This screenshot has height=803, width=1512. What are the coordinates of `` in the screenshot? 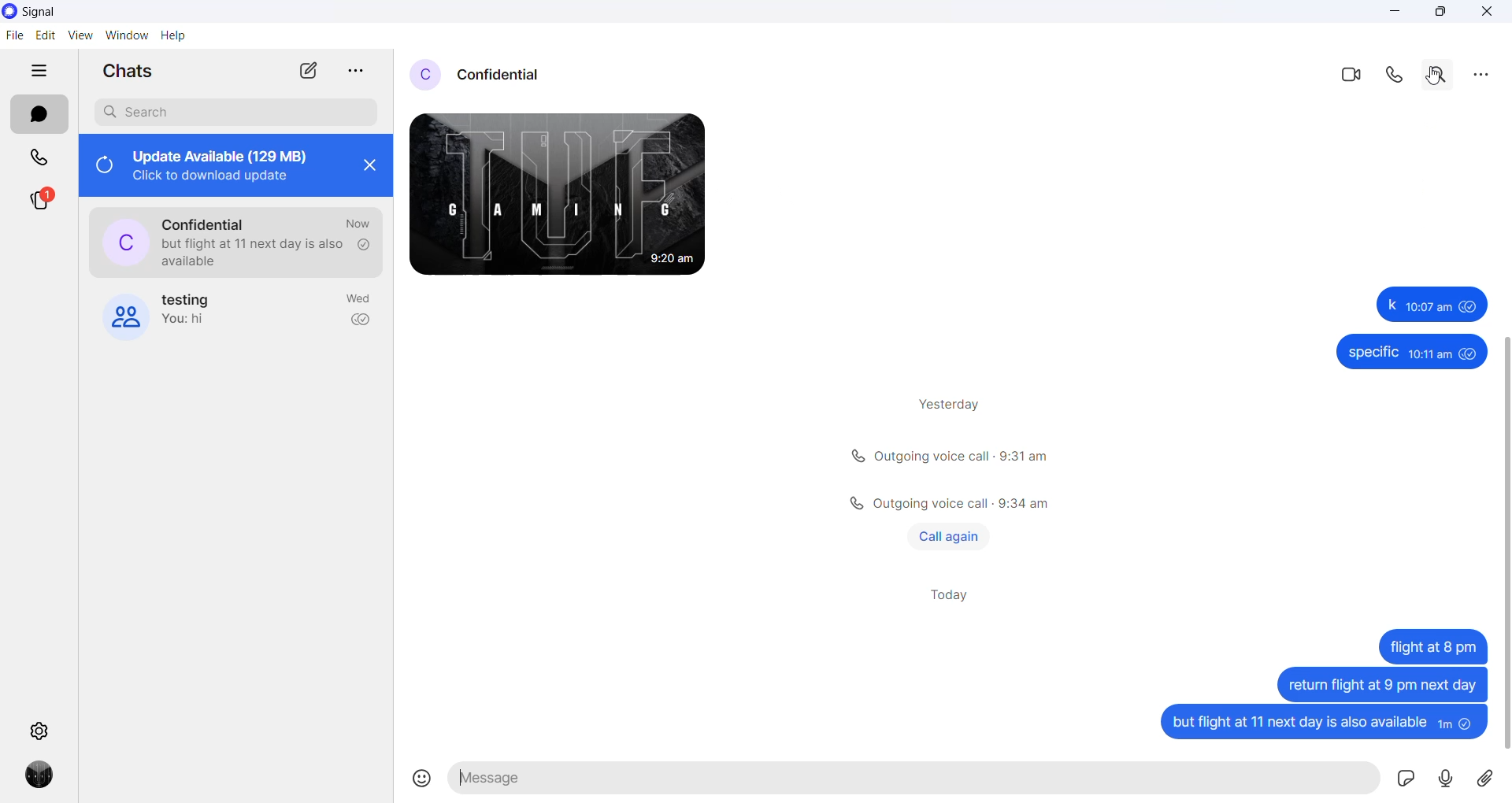 It's located at (1428, 304).